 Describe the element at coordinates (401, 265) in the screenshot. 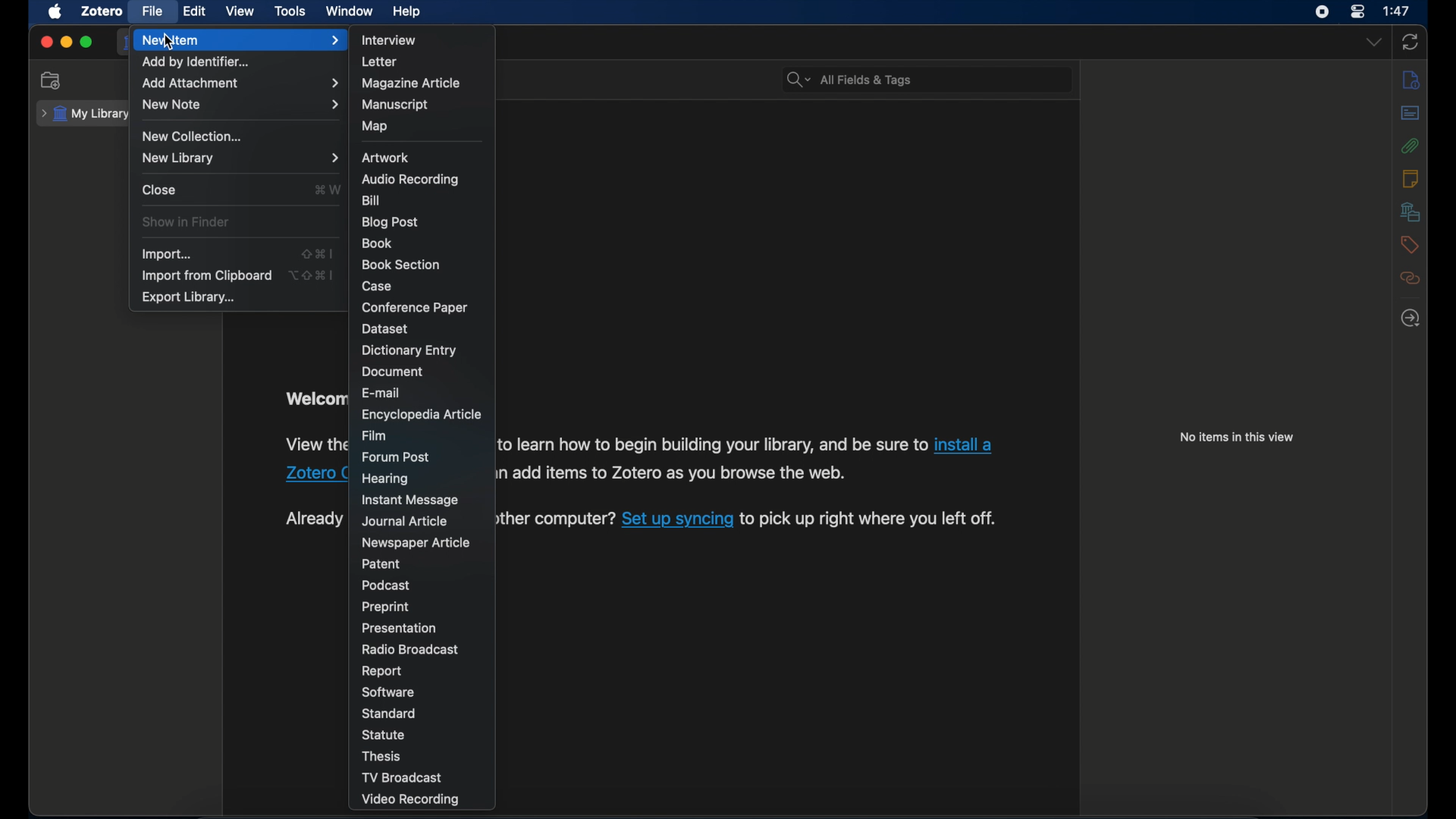

I see `book section` at that location.